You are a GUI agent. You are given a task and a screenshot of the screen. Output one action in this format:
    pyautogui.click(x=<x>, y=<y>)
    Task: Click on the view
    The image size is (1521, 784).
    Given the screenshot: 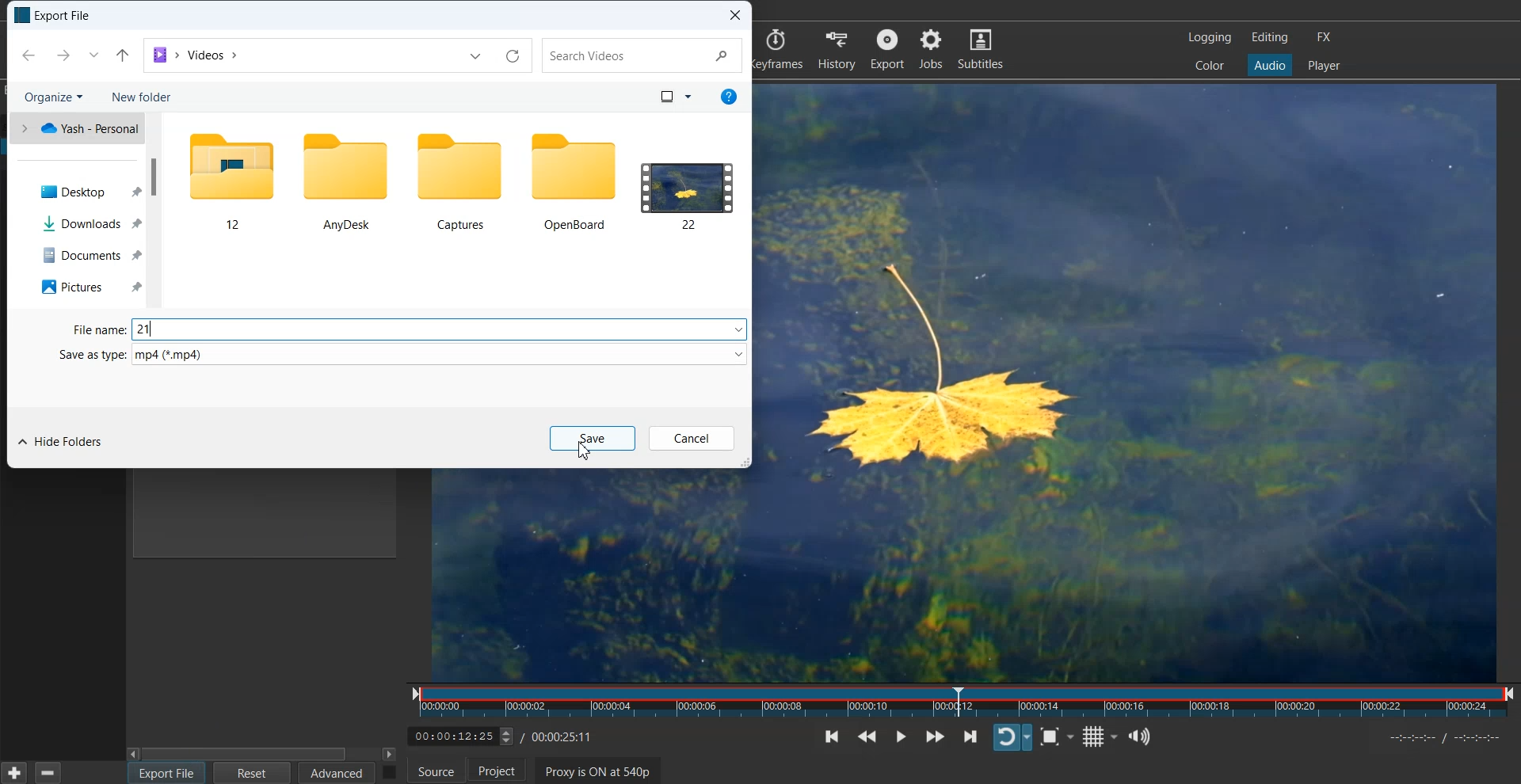 What is the action you would take?
    pyautogui.click(x=672, y=96)
    